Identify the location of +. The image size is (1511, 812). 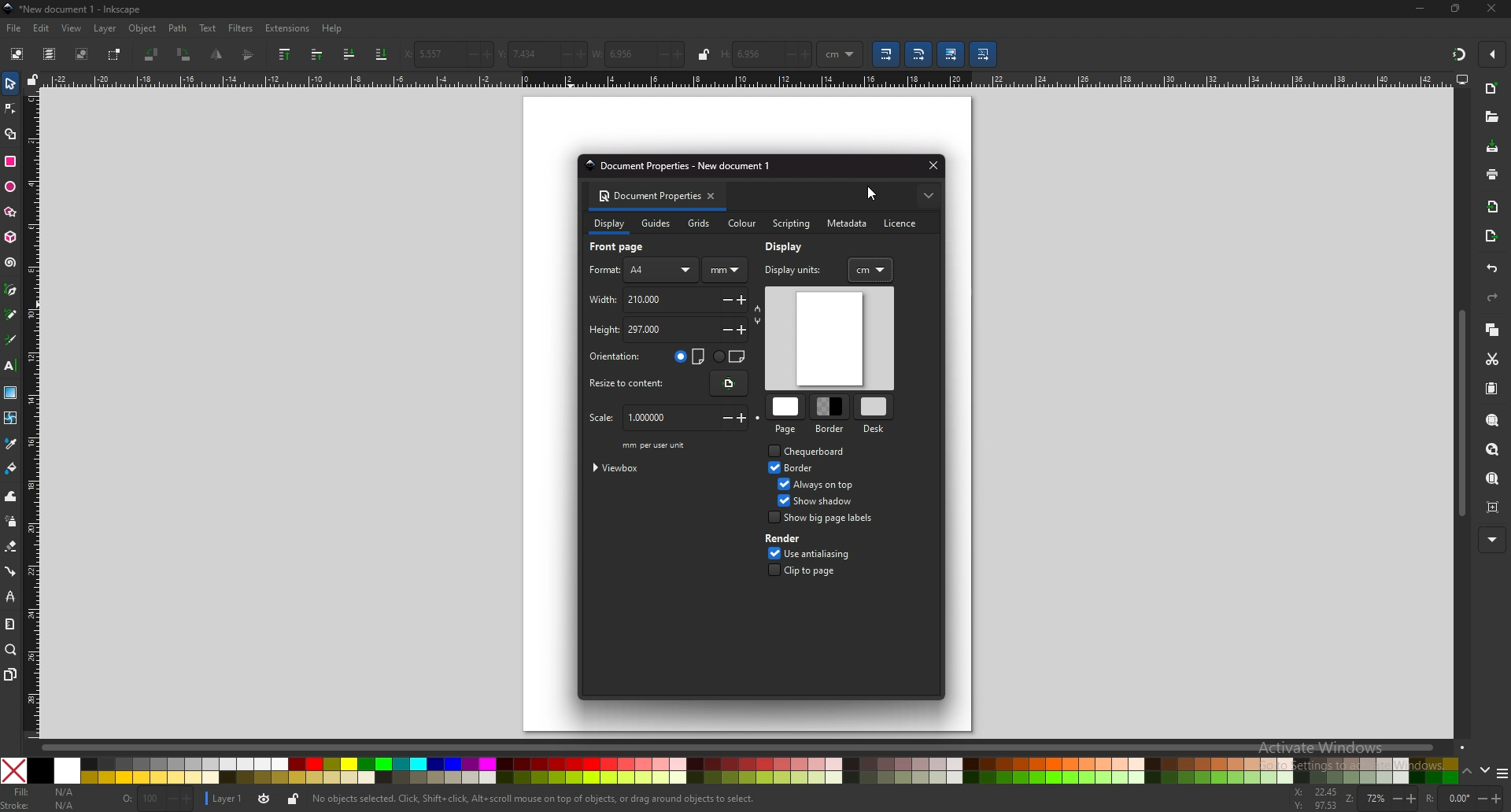
(577, 54).